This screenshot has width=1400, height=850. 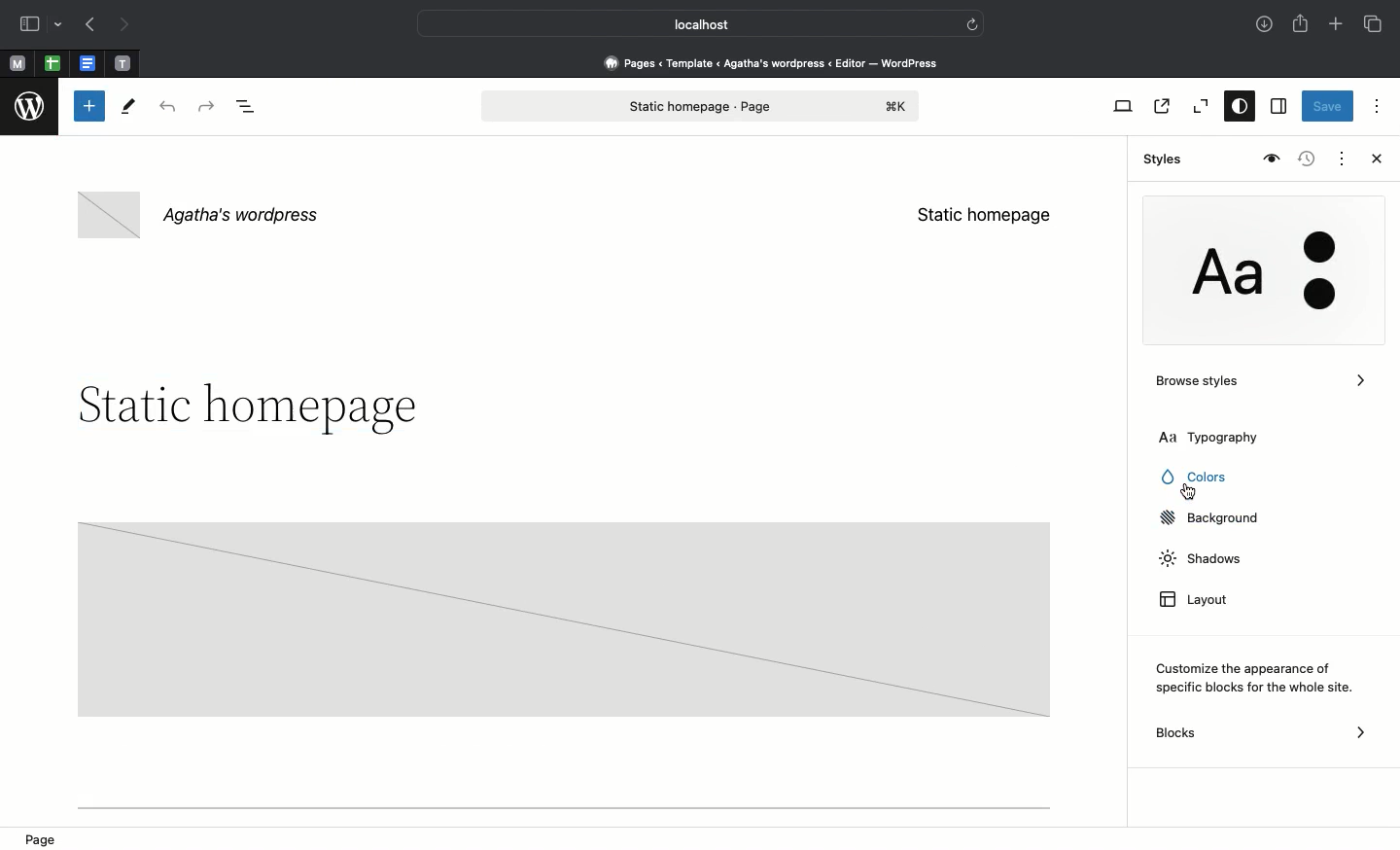 I want to click on Sidebar, so click(x=29, y=24).